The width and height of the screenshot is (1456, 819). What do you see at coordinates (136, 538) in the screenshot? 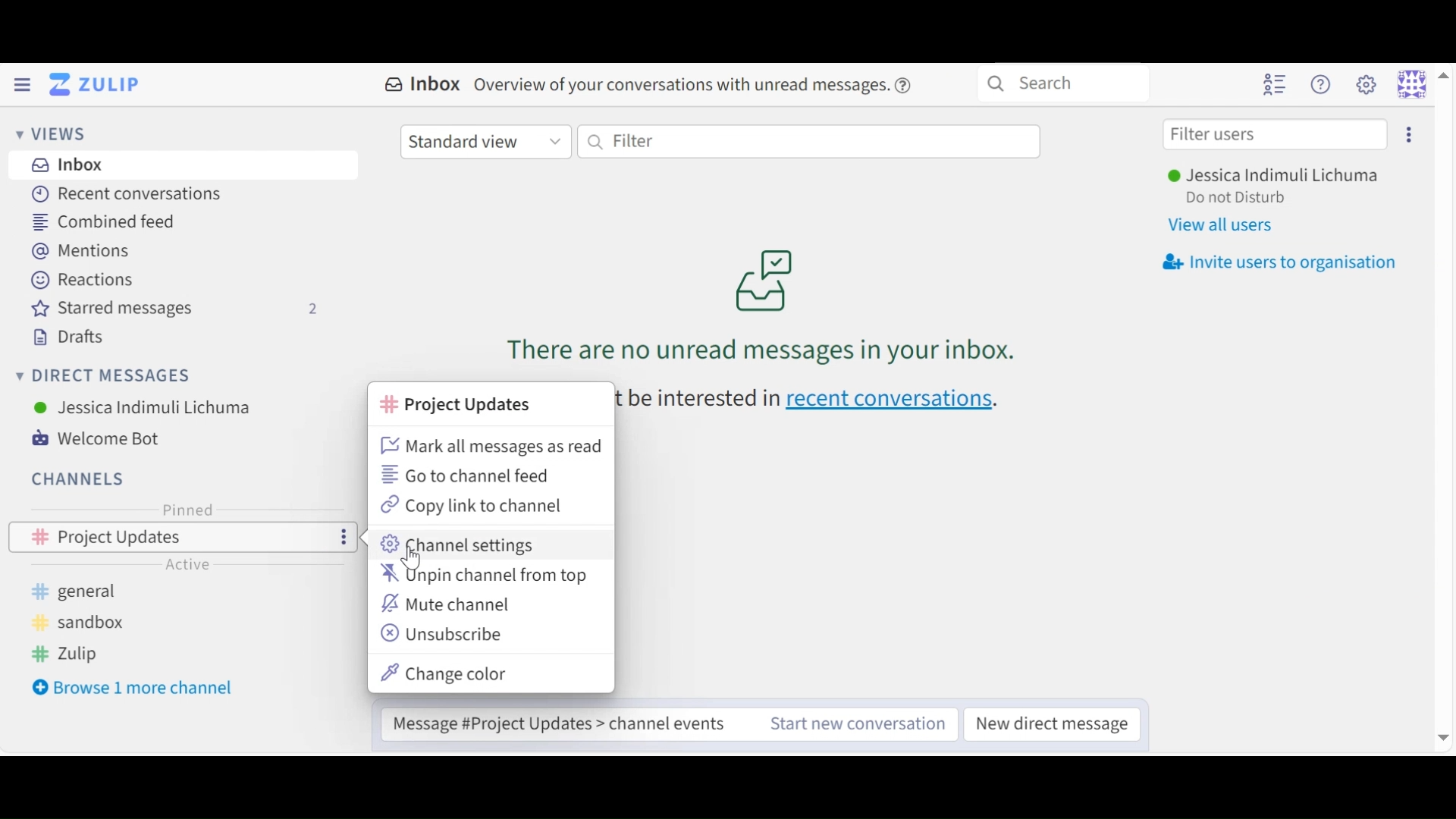
I see `Project Updates` at bounding box center [136, 538].